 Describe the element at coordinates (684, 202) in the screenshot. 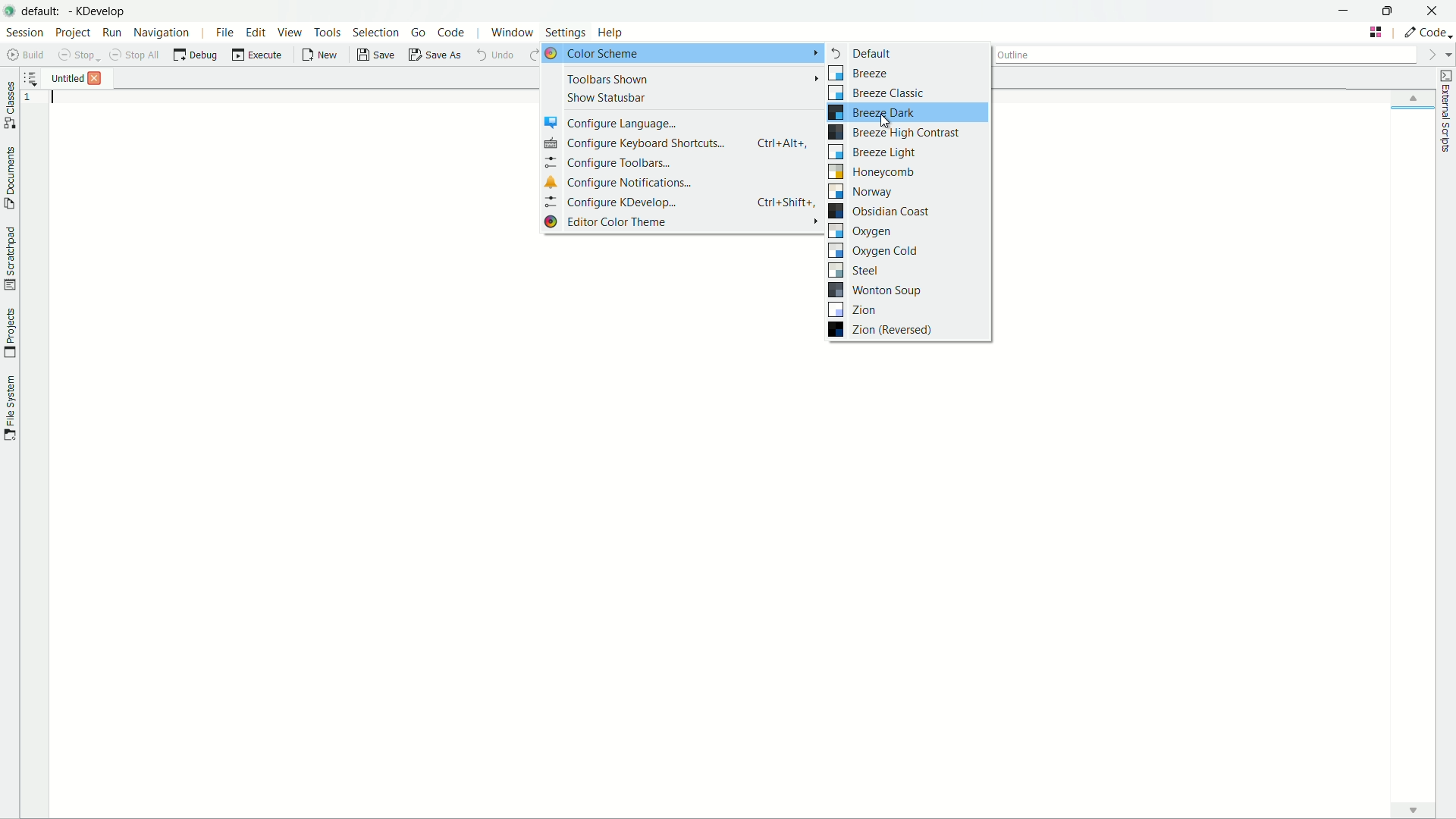

I see `configure kdevelop` at that location.